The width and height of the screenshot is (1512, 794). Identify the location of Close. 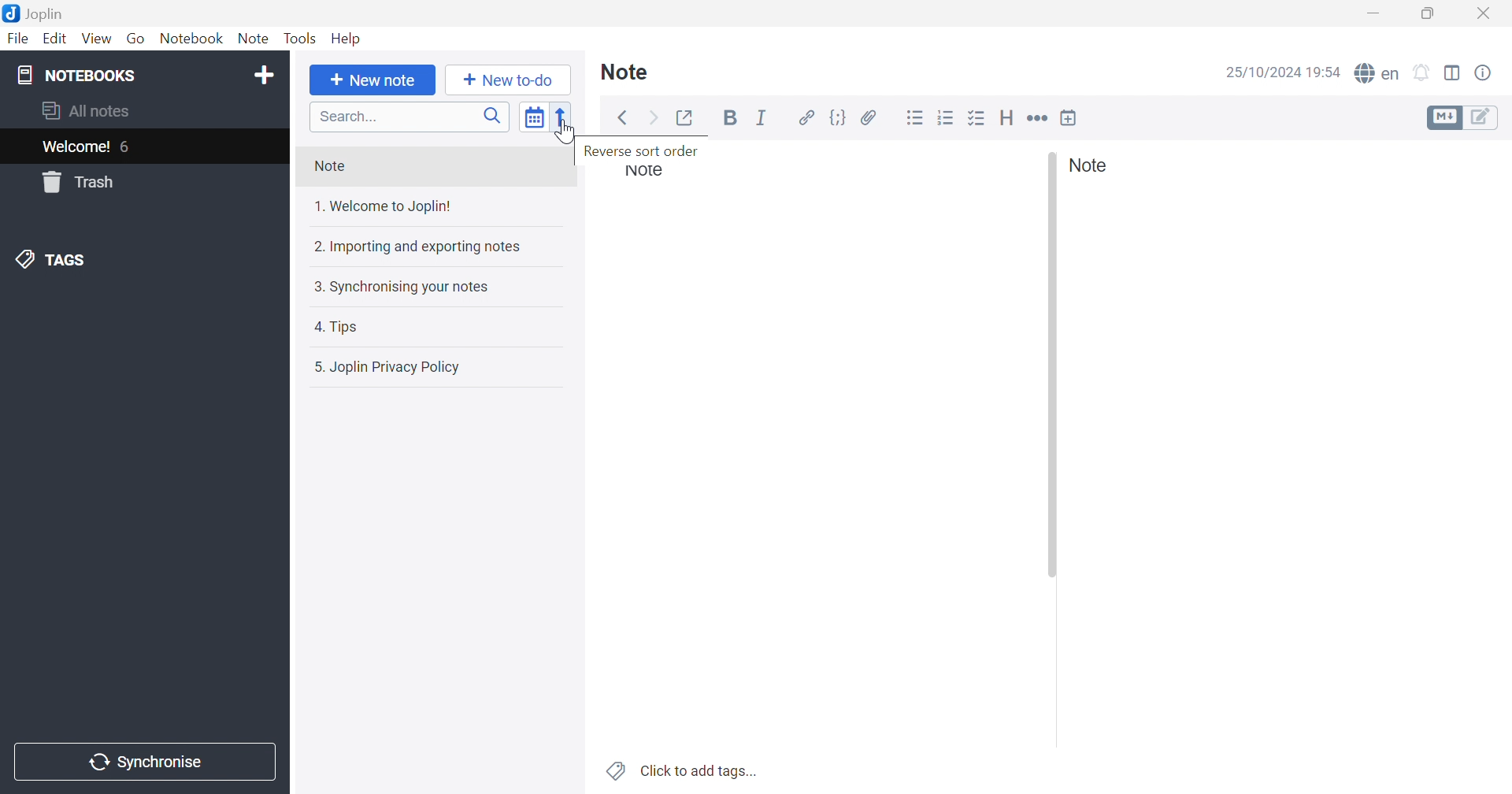
(1486, 15).